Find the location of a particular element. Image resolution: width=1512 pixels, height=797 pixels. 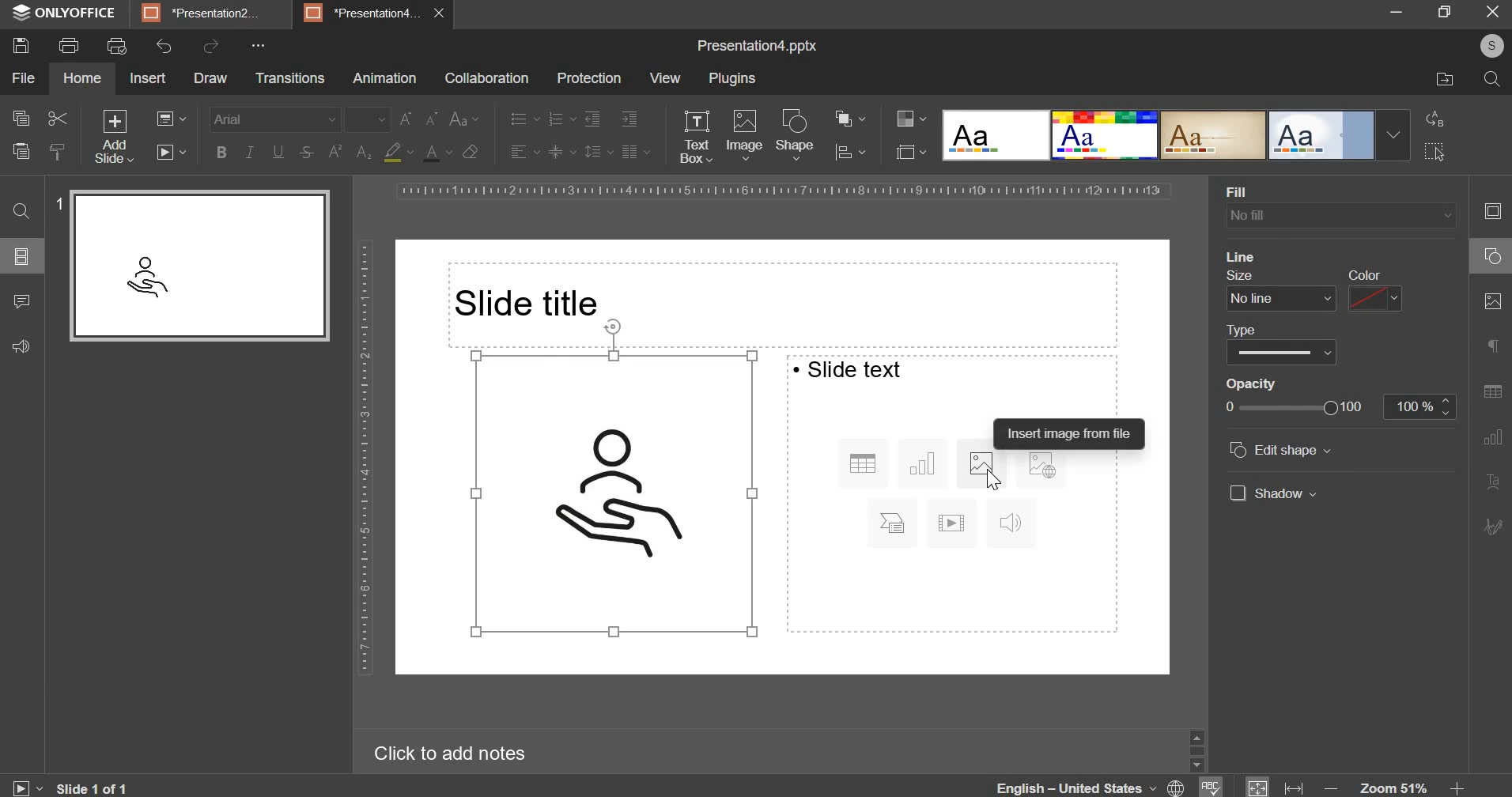

close is located at coordinates (1492, 11).